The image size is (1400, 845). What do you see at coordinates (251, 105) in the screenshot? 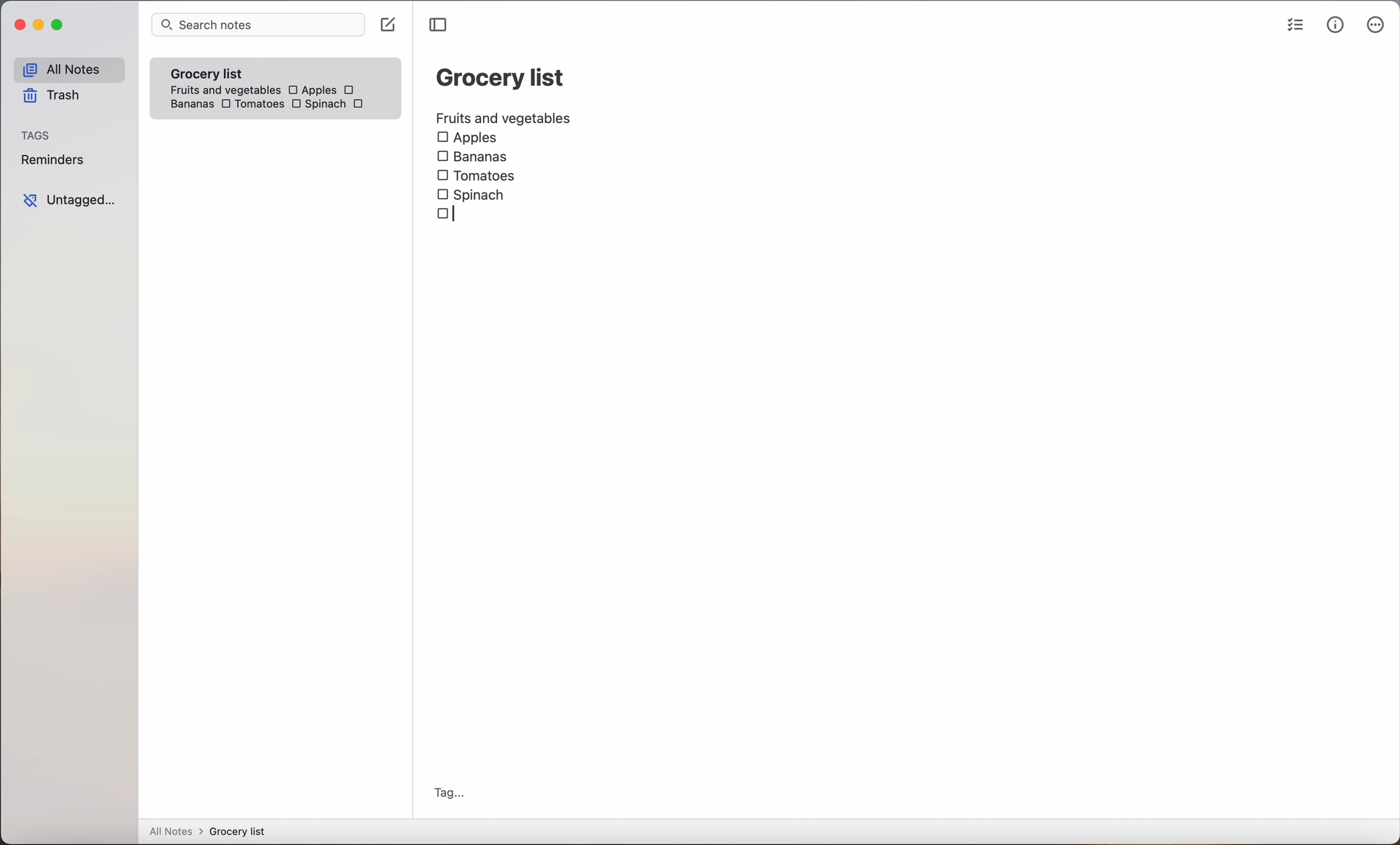
I see `Tomatoes checkbox` at bounding box center [251, 105].